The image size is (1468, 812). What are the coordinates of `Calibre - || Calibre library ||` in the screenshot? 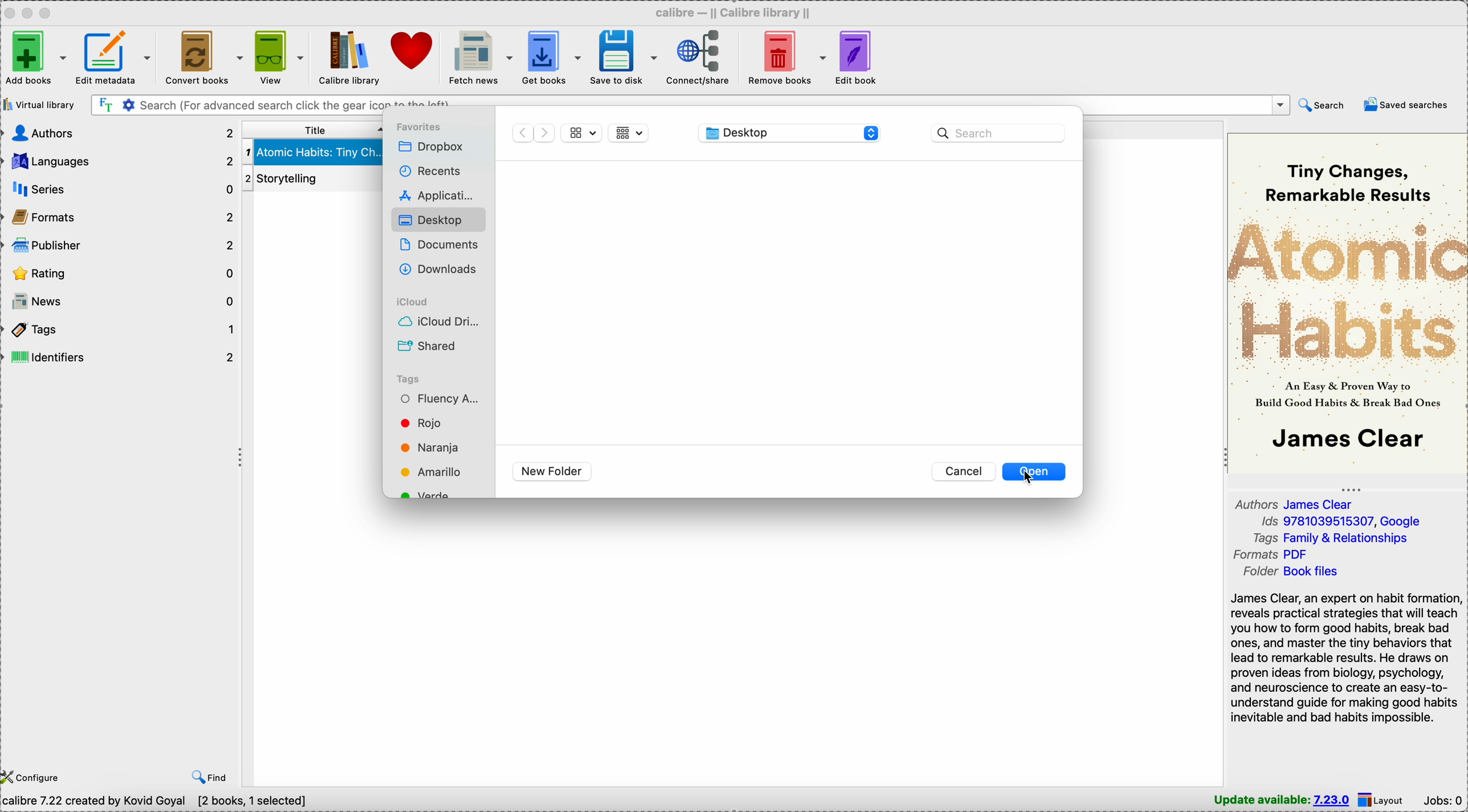 It's located at (737, 12).